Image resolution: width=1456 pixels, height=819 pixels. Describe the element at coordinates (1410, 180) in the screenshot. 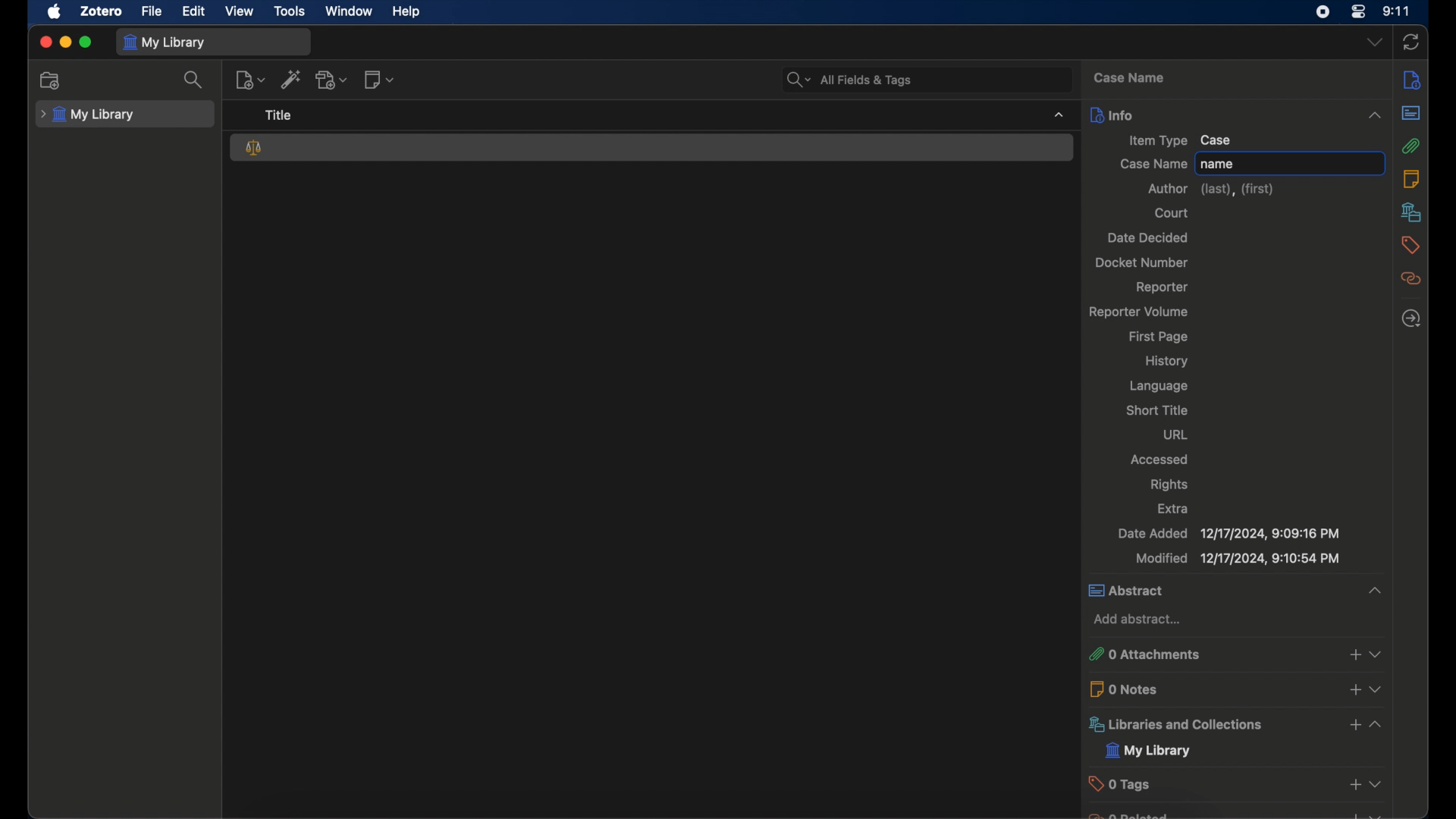

I see `notes` at that location.